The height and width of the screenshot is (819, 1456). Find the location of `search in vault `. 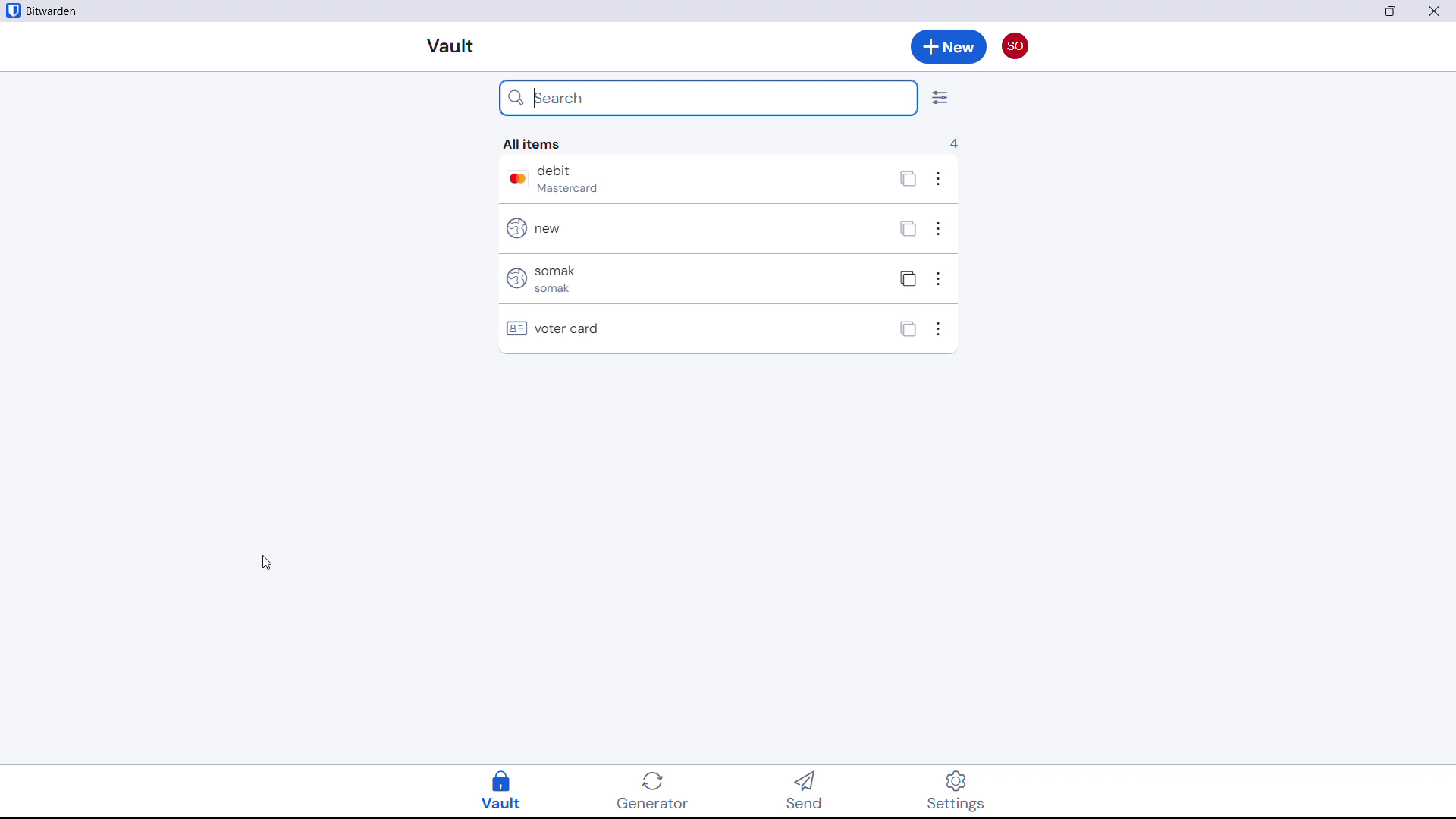

search in vault  is located at coordinates (709, 98).